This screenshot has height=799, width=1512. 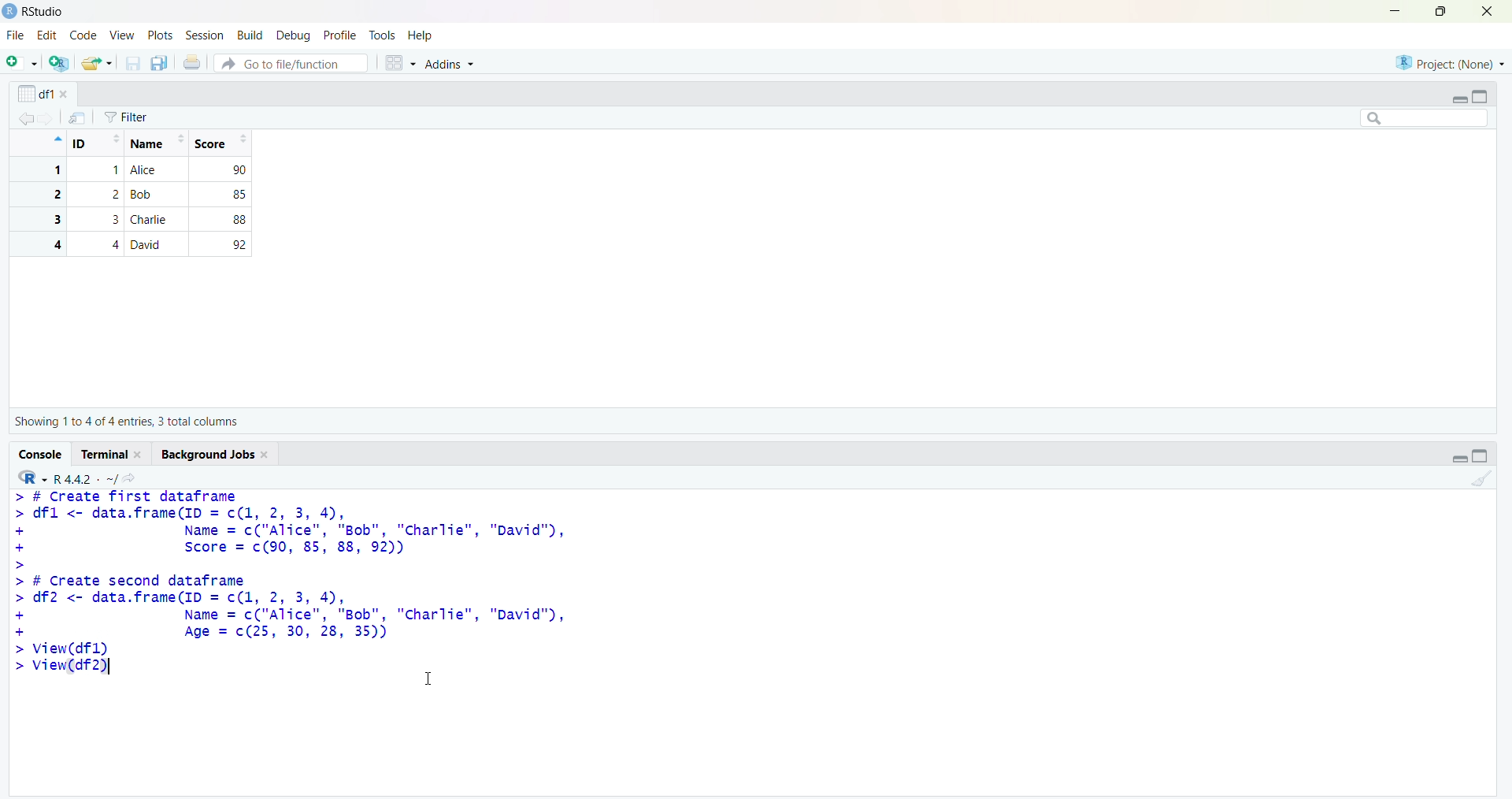 I want to click on add R file, so click(x=60, y=63).